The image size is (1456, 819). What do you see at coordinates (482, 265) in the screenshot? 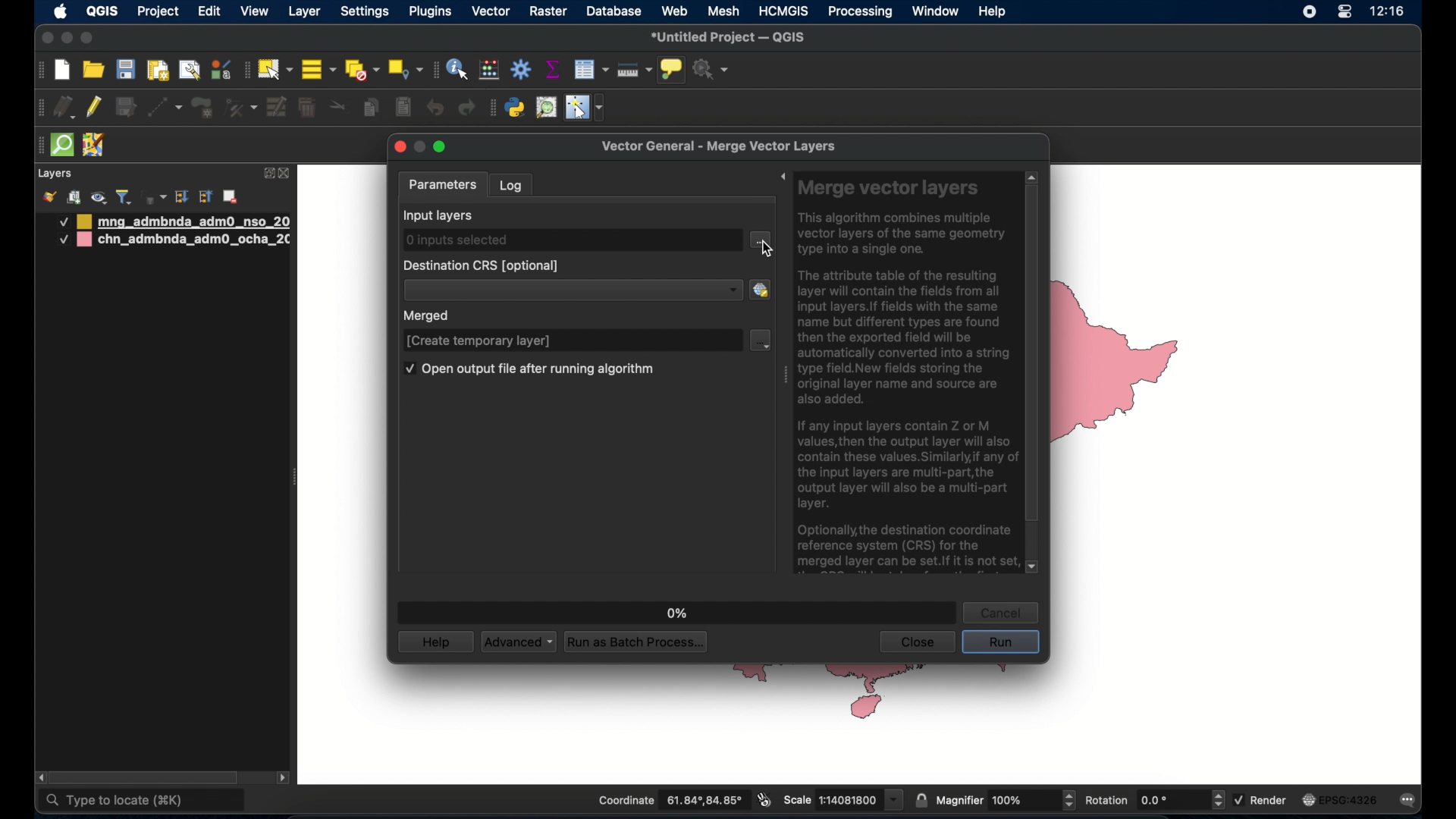
I see `destination CRS [optional]` at bounding box center [482, 265].